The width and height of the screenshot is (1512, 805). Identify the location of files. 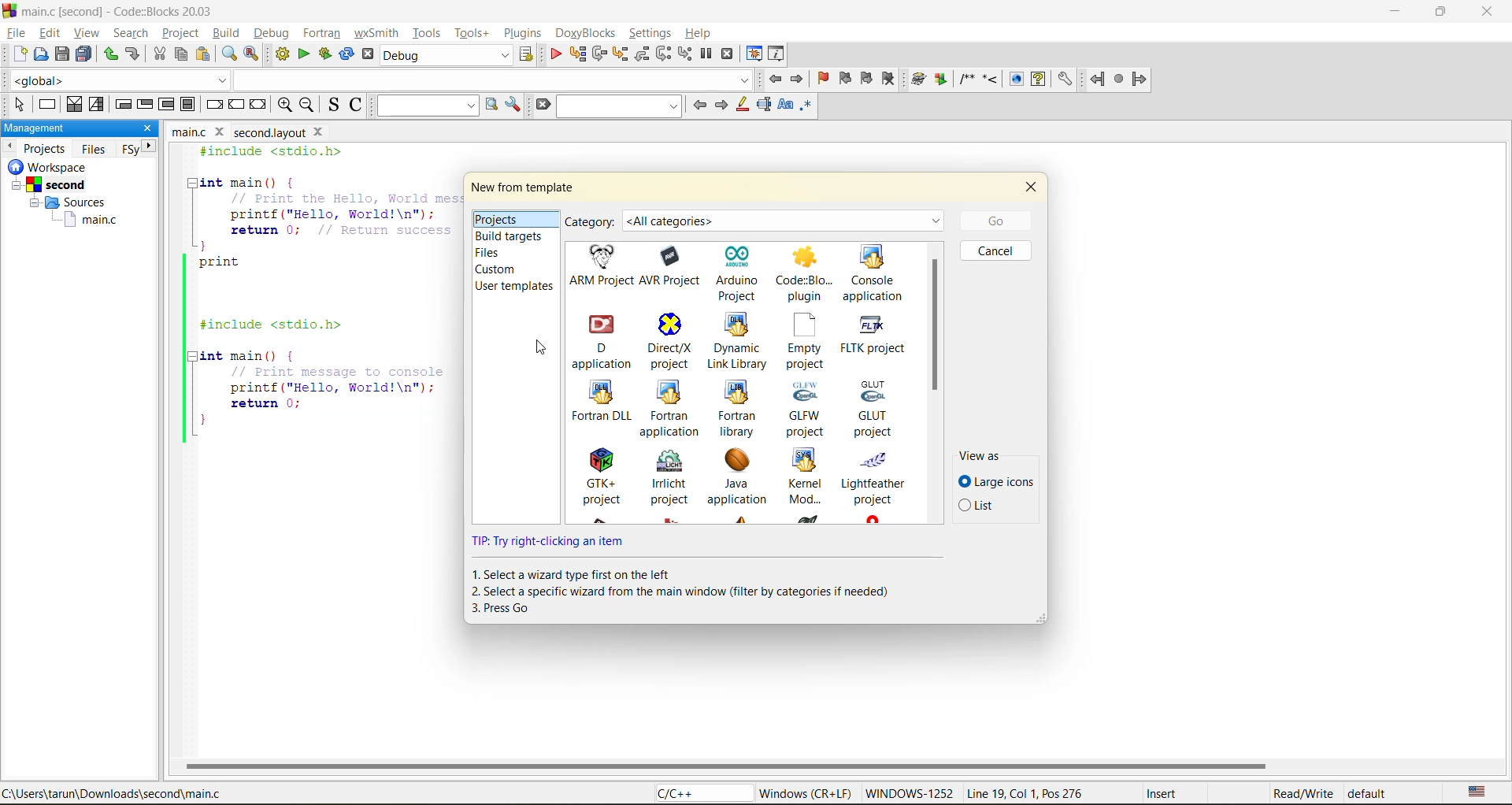
(498, 254).